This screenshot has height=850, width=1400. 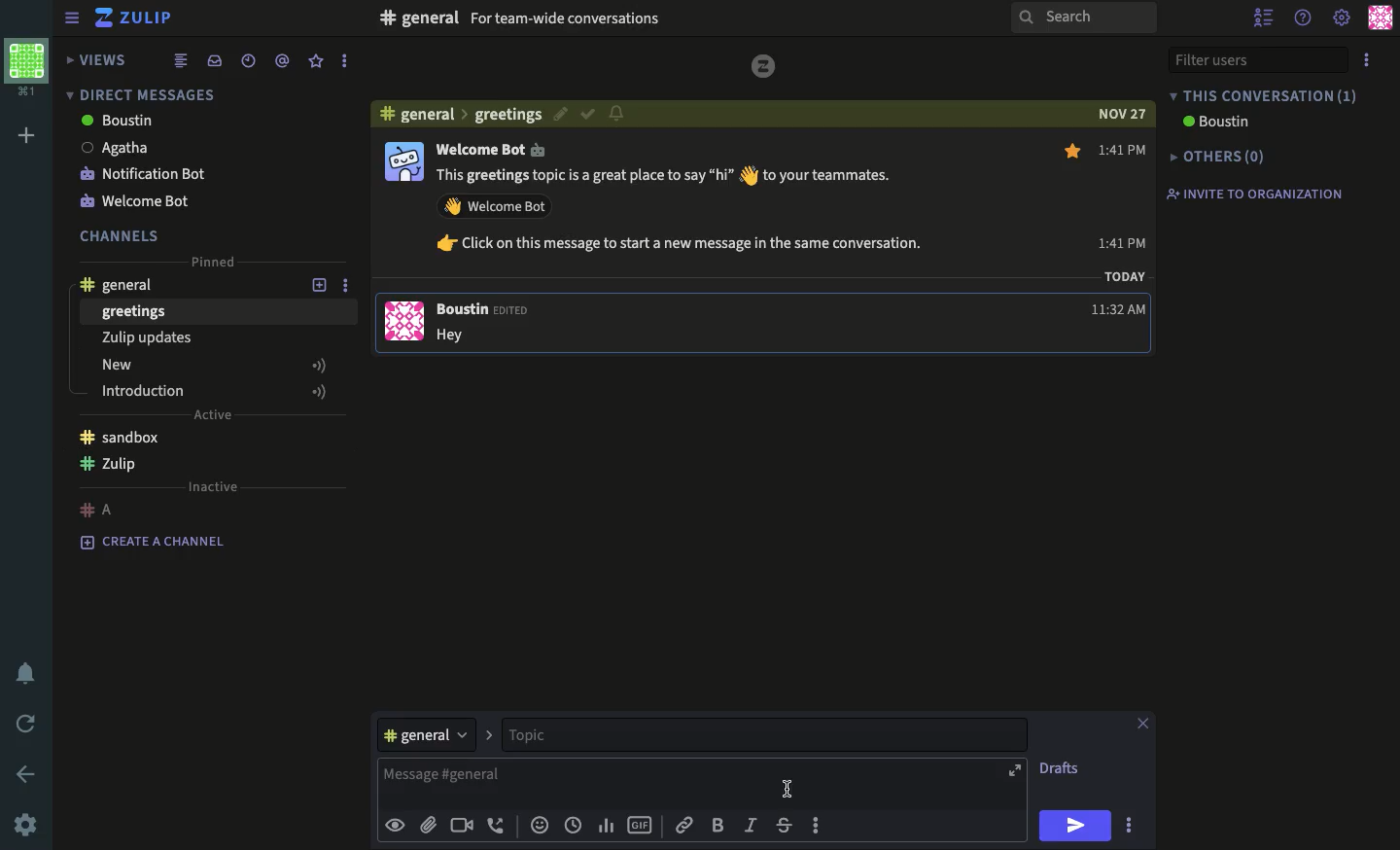 What do you see at coordinates (586, 115) in the screenshot?
I see `correct` at bounding box center [586, 115].